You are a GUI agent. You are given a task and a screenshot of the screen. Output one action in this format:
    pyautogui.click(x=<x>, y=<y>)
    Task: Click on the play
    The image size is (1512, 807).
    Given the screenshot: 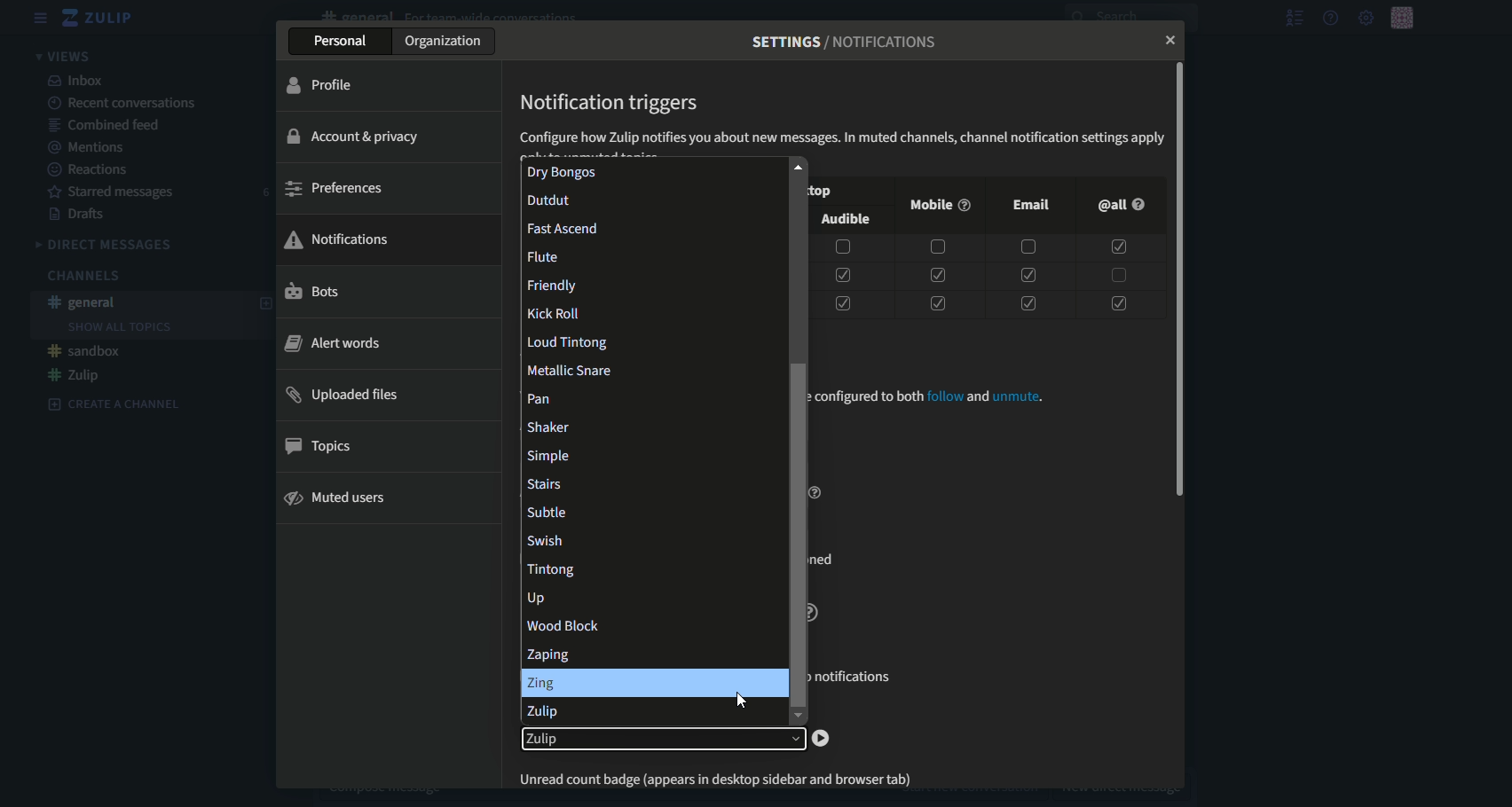 What is the action you would take?
    pyautogui.click(x=822, y=739)
    